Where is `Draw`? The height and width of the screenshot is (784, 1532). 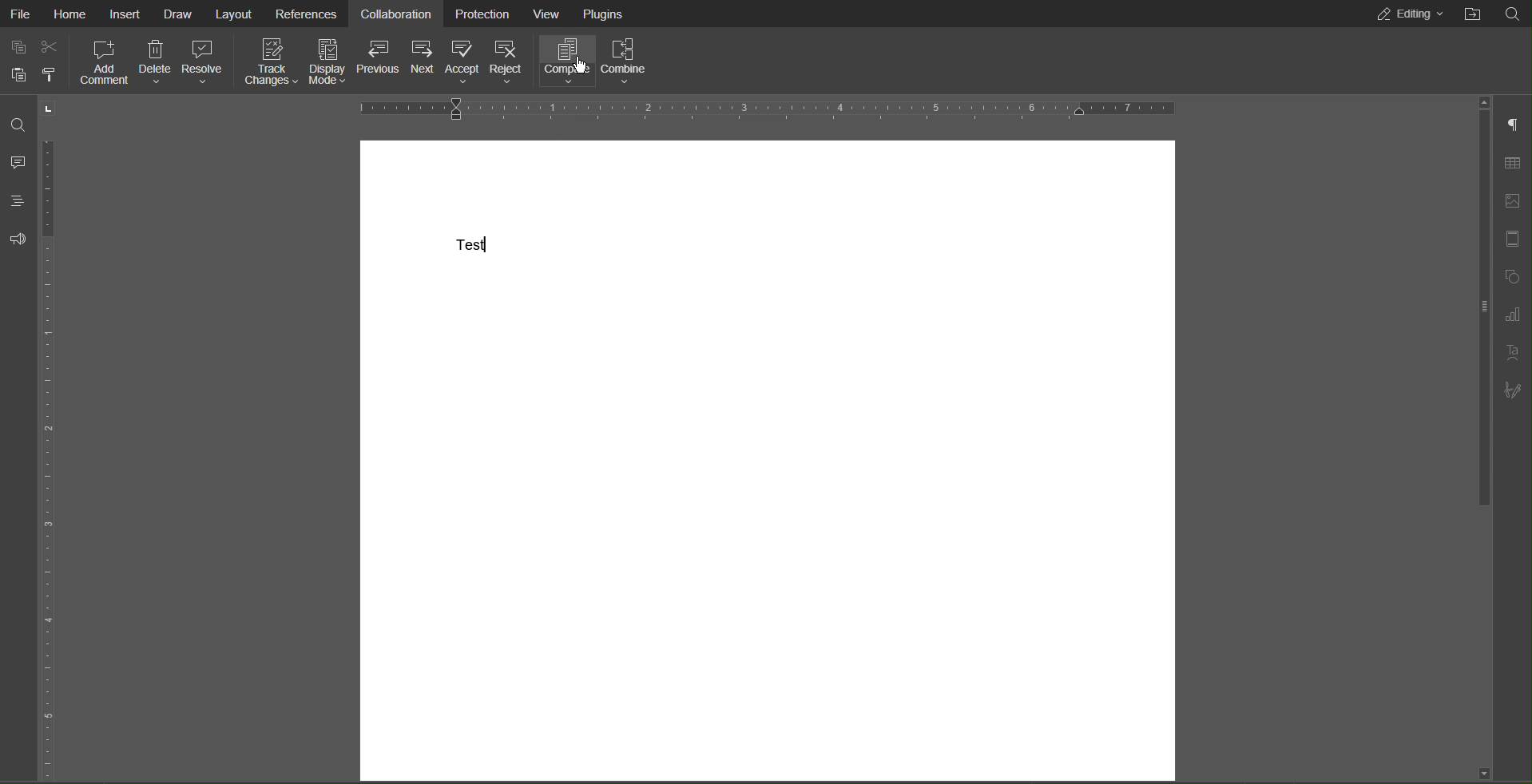 Draw is located at coordinates (177, 14).